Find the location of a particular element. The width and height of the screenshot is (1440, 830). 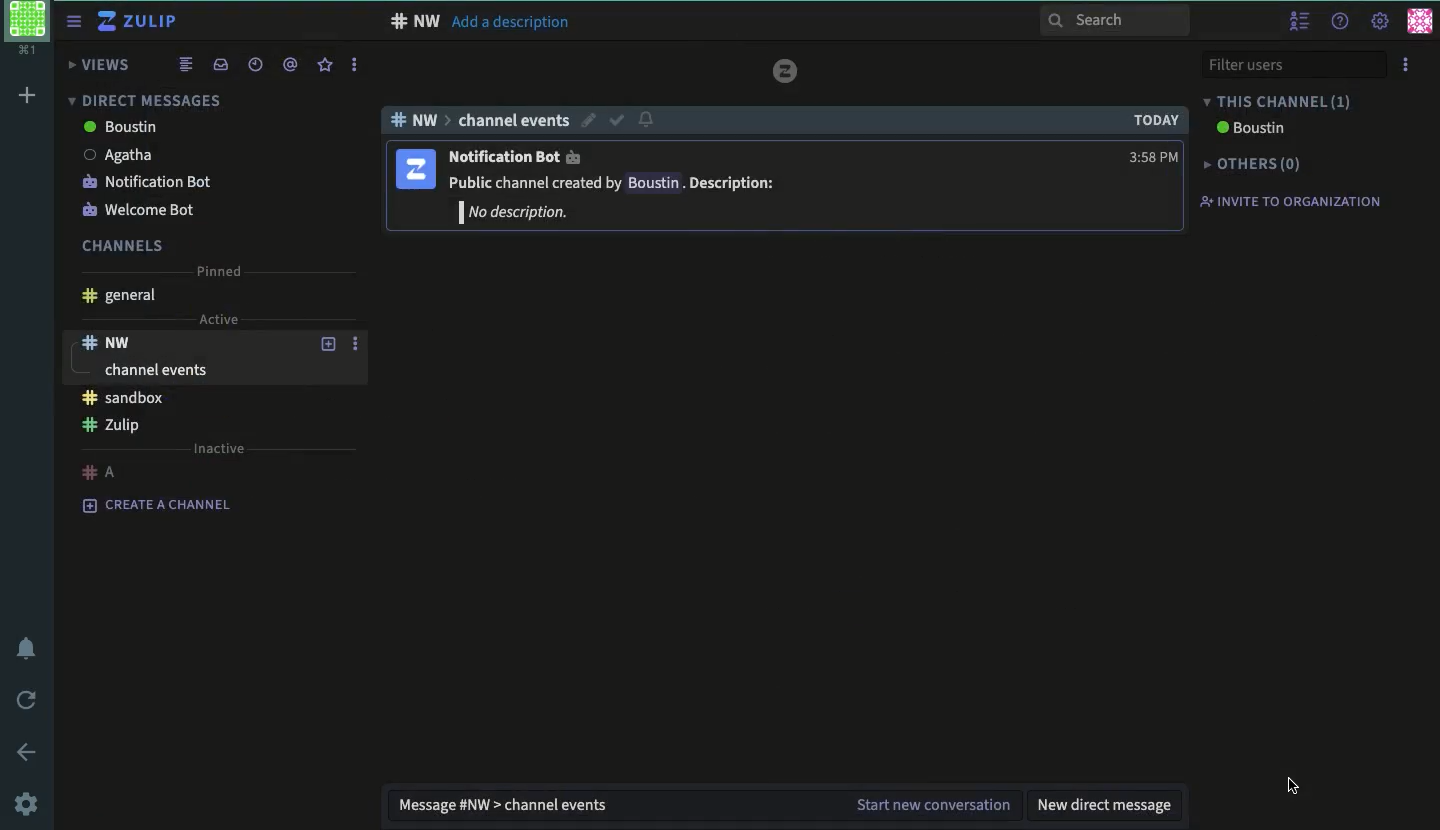

help is located at coordinates (1340, 22).